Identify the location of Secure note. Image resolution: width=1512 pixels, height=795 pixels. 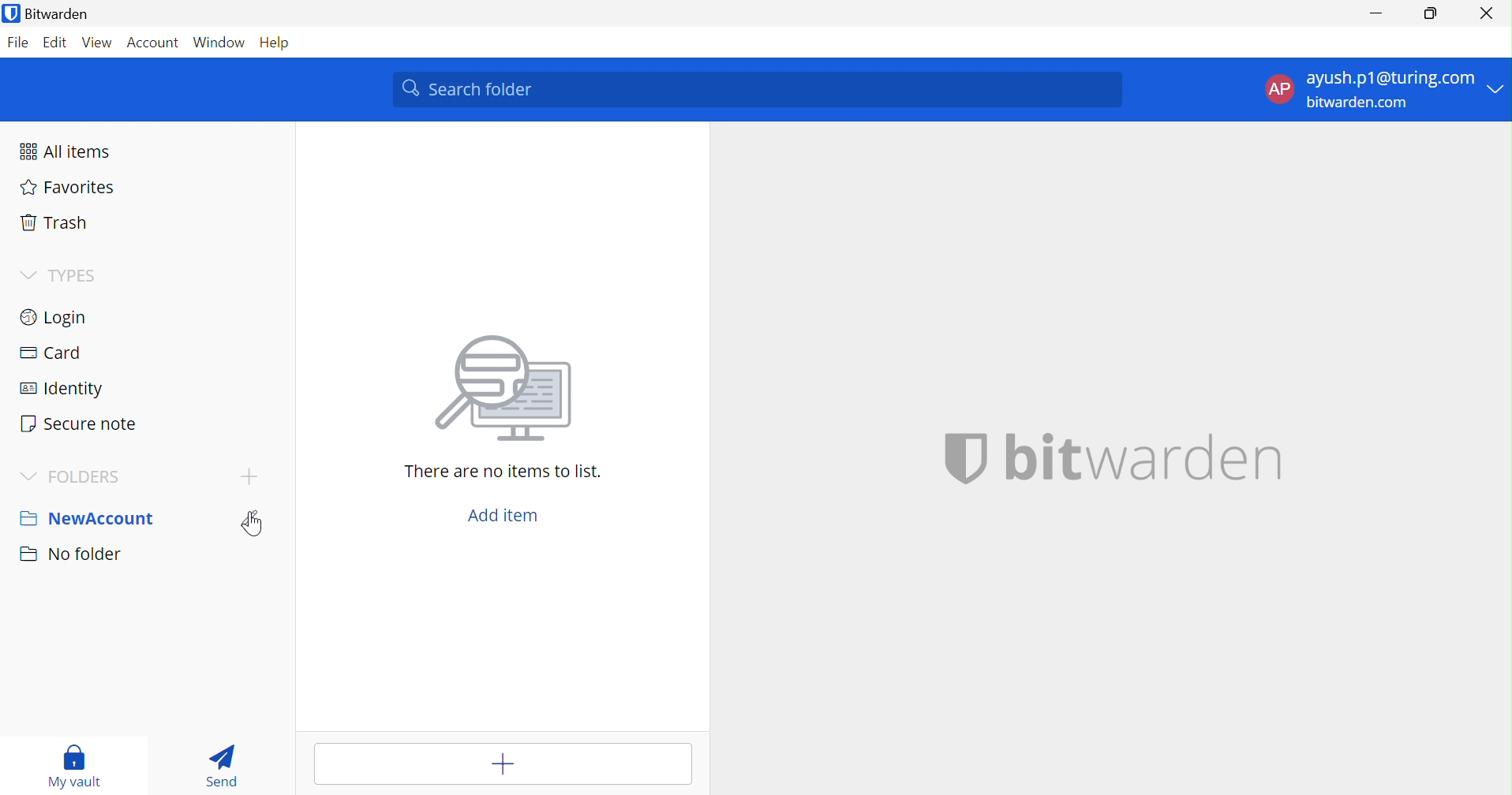
(83, 422).